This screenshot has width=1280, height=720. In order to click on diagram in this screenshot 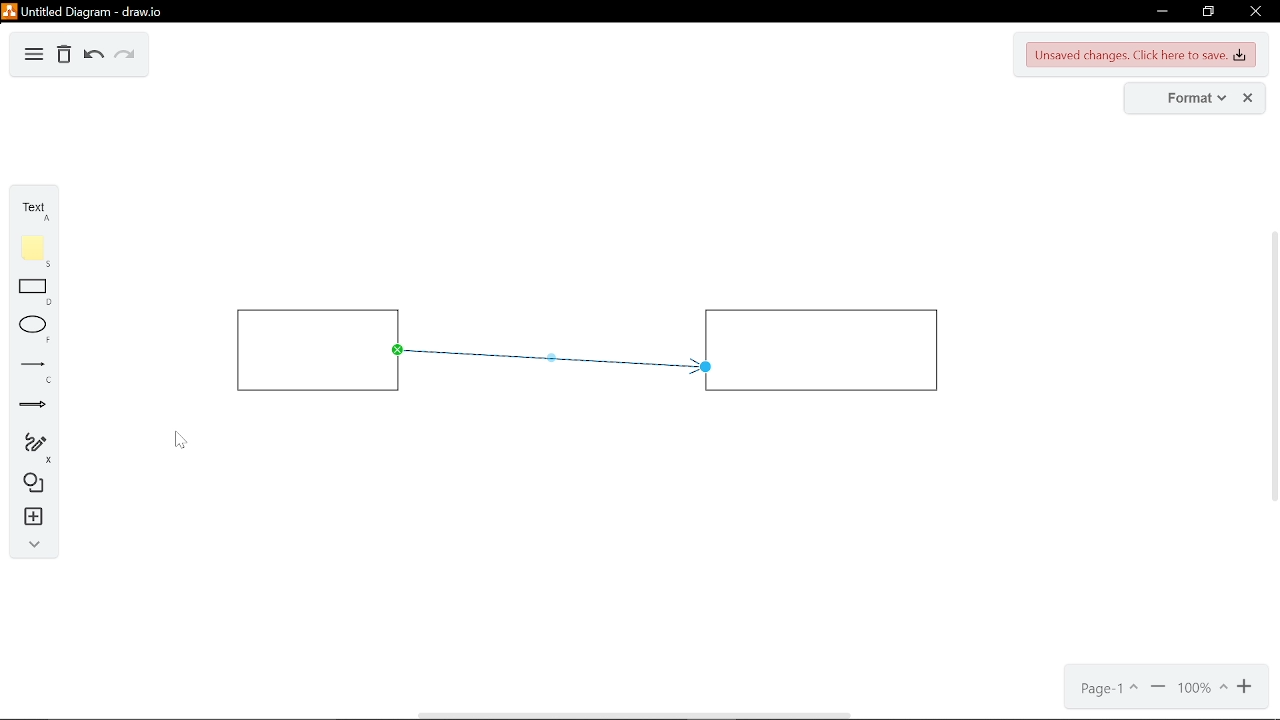, I will do `click(34, 55)`.